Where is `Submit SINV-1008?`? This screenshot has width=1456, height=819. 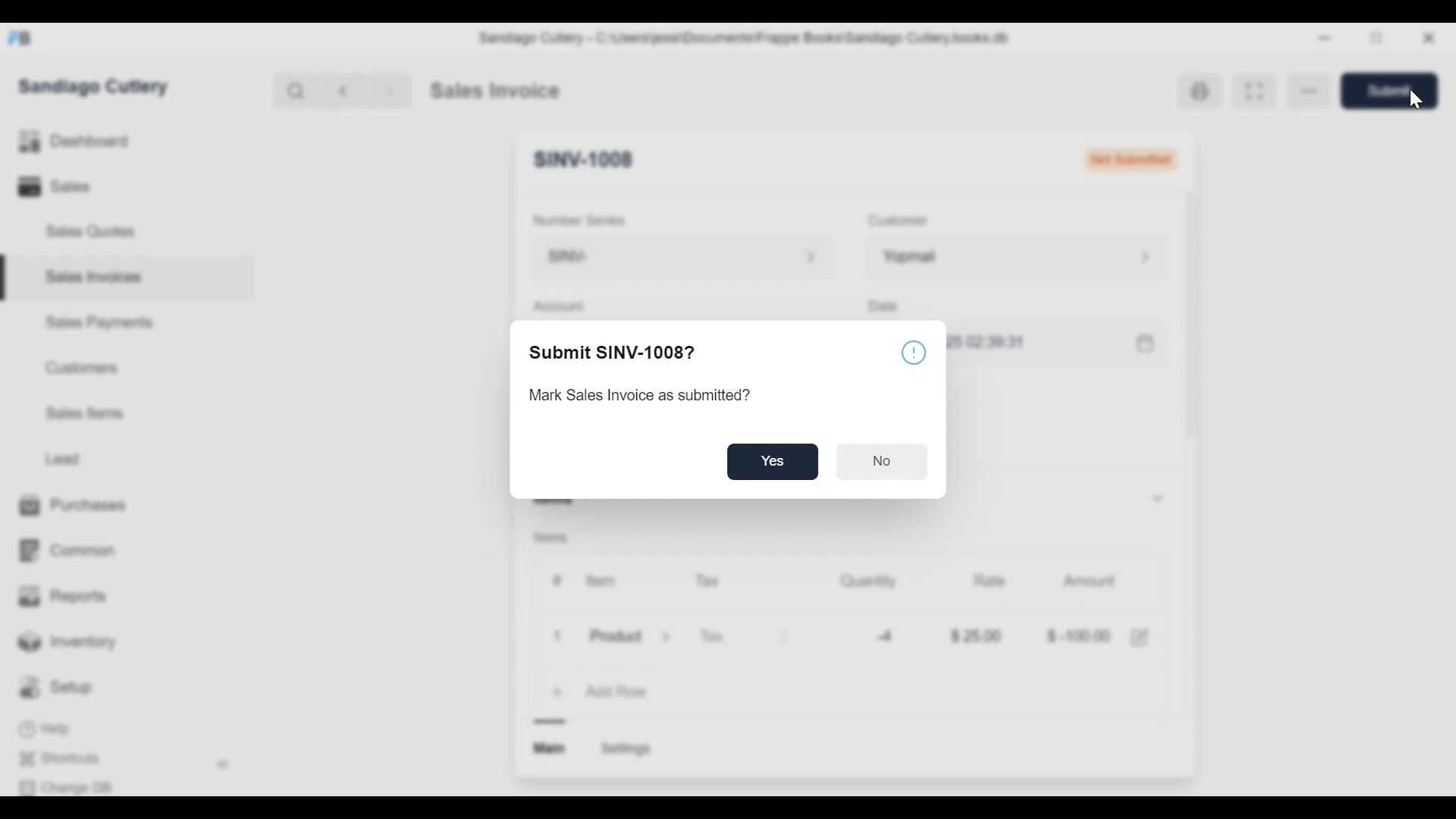 Submit SINV-1008? is located at coordinates (611, 350).